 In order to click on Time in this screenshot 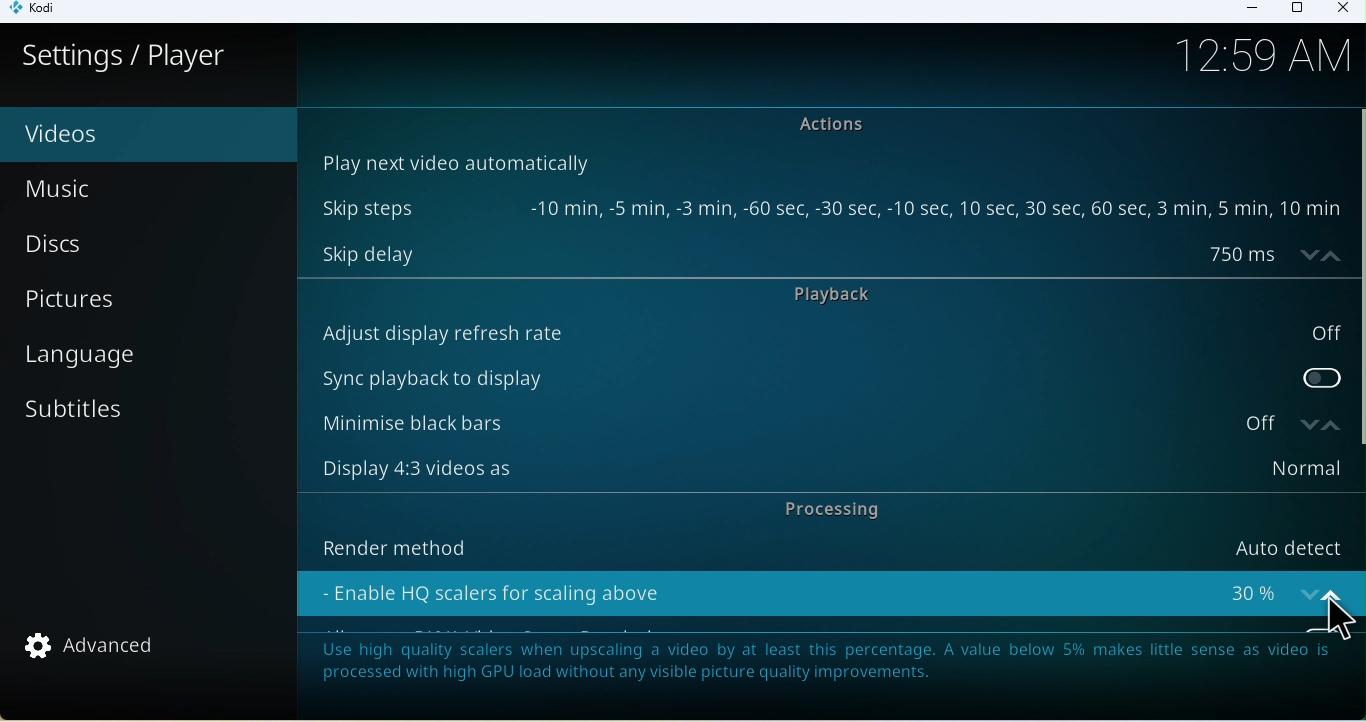, I will do `click(1271, 59)`.